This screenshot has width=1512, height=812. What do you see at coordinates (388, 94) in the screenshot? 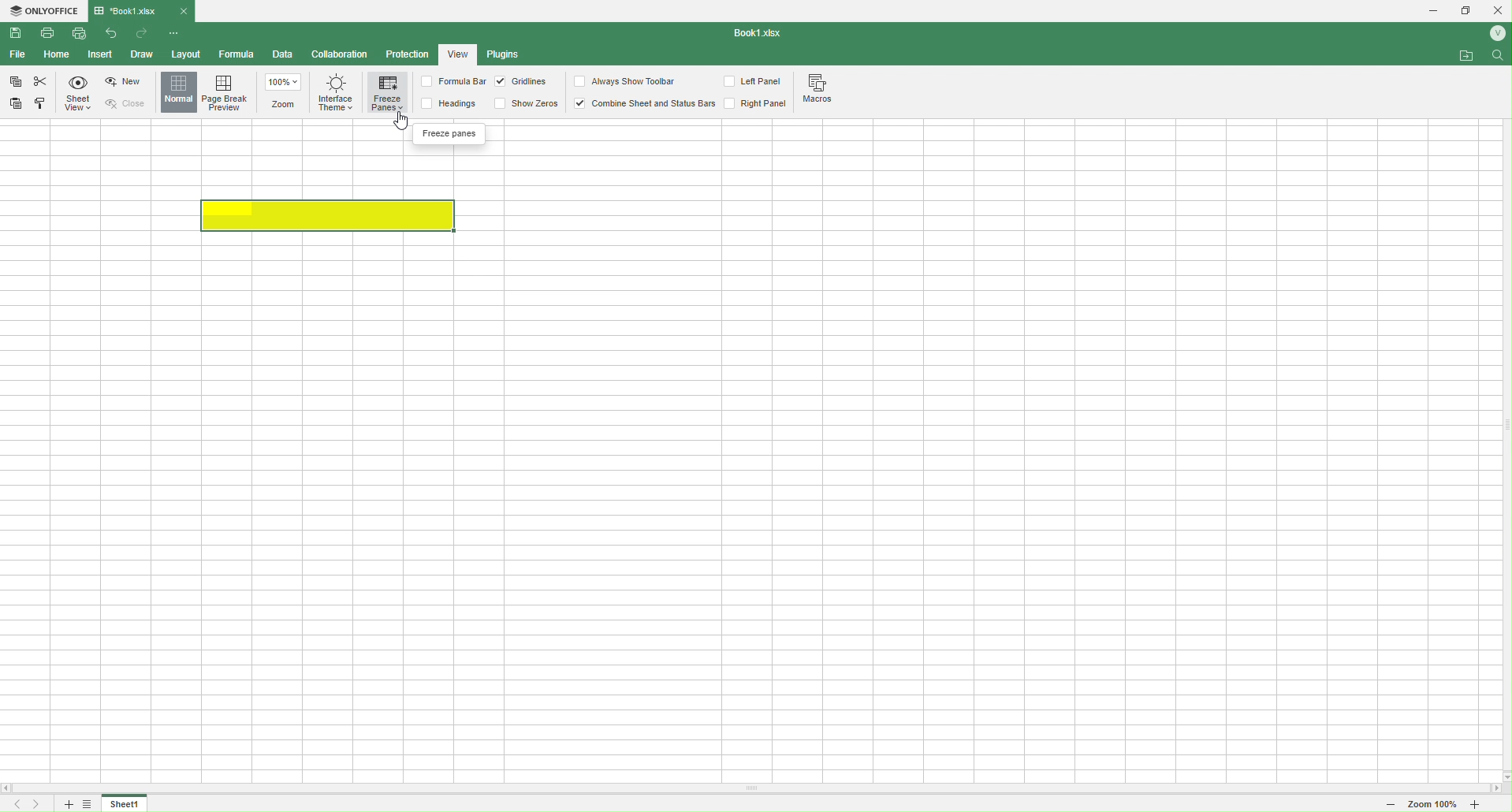
I see `Freeze Panes` at bounding box center [388, 94].